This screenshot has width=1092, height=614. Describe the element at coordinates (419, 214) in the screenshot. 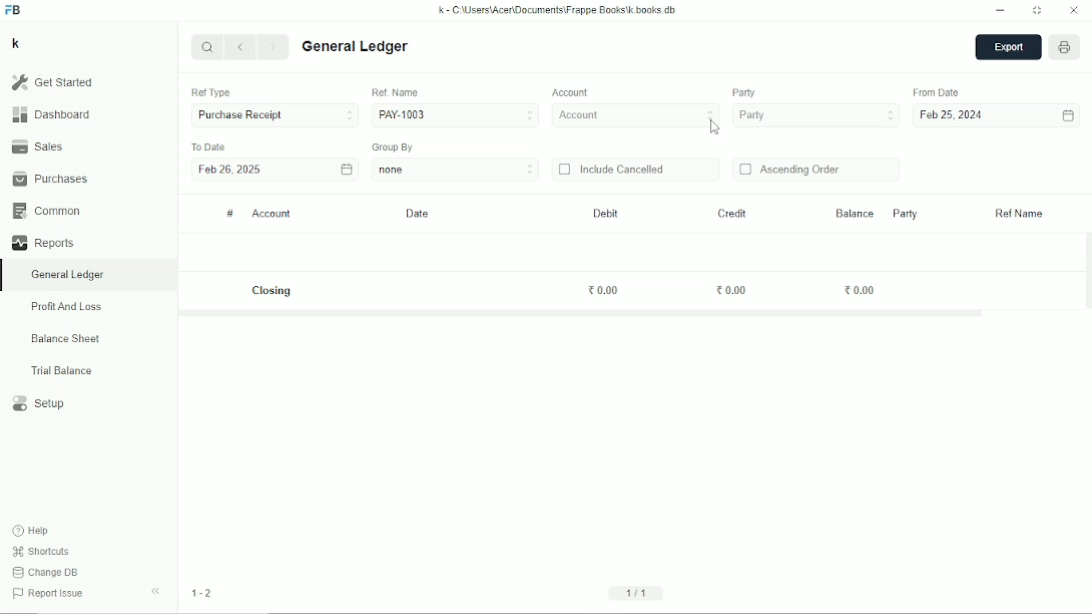

I see `Date` at that location.